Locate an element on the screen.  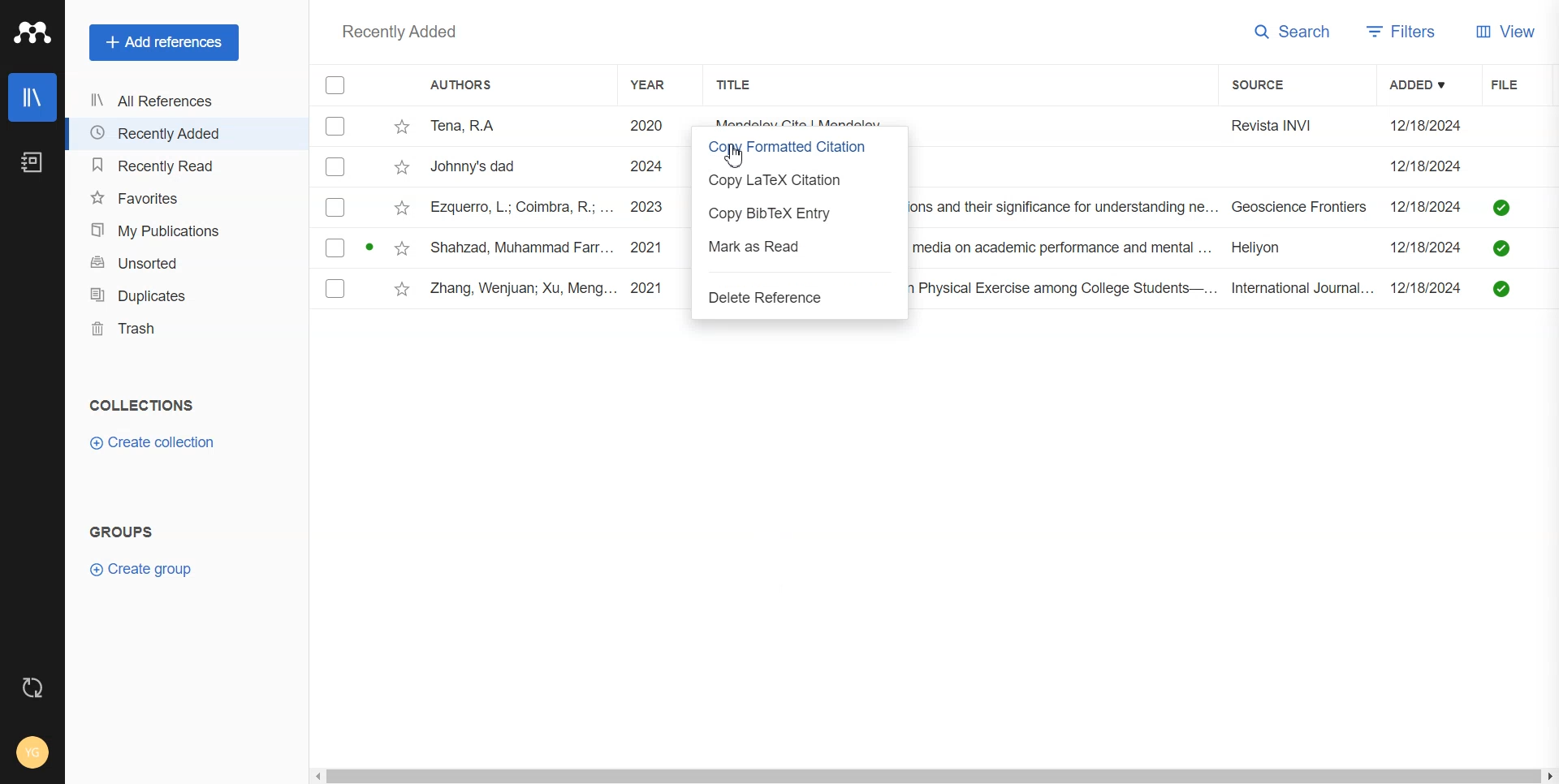
Title is located at coordinates (755, 85).